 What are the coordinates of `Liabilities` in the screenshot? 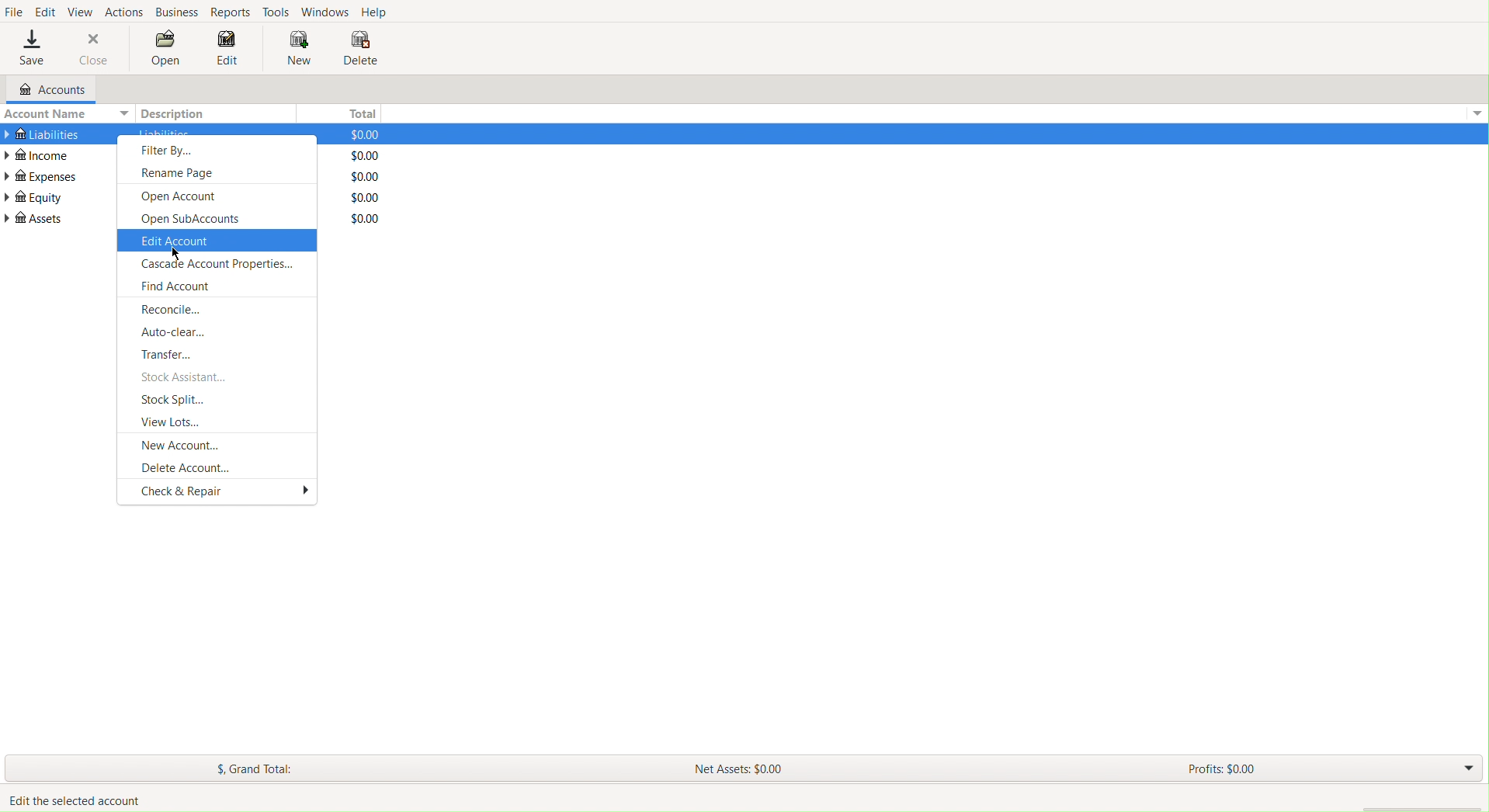 It's located at (42, 132).